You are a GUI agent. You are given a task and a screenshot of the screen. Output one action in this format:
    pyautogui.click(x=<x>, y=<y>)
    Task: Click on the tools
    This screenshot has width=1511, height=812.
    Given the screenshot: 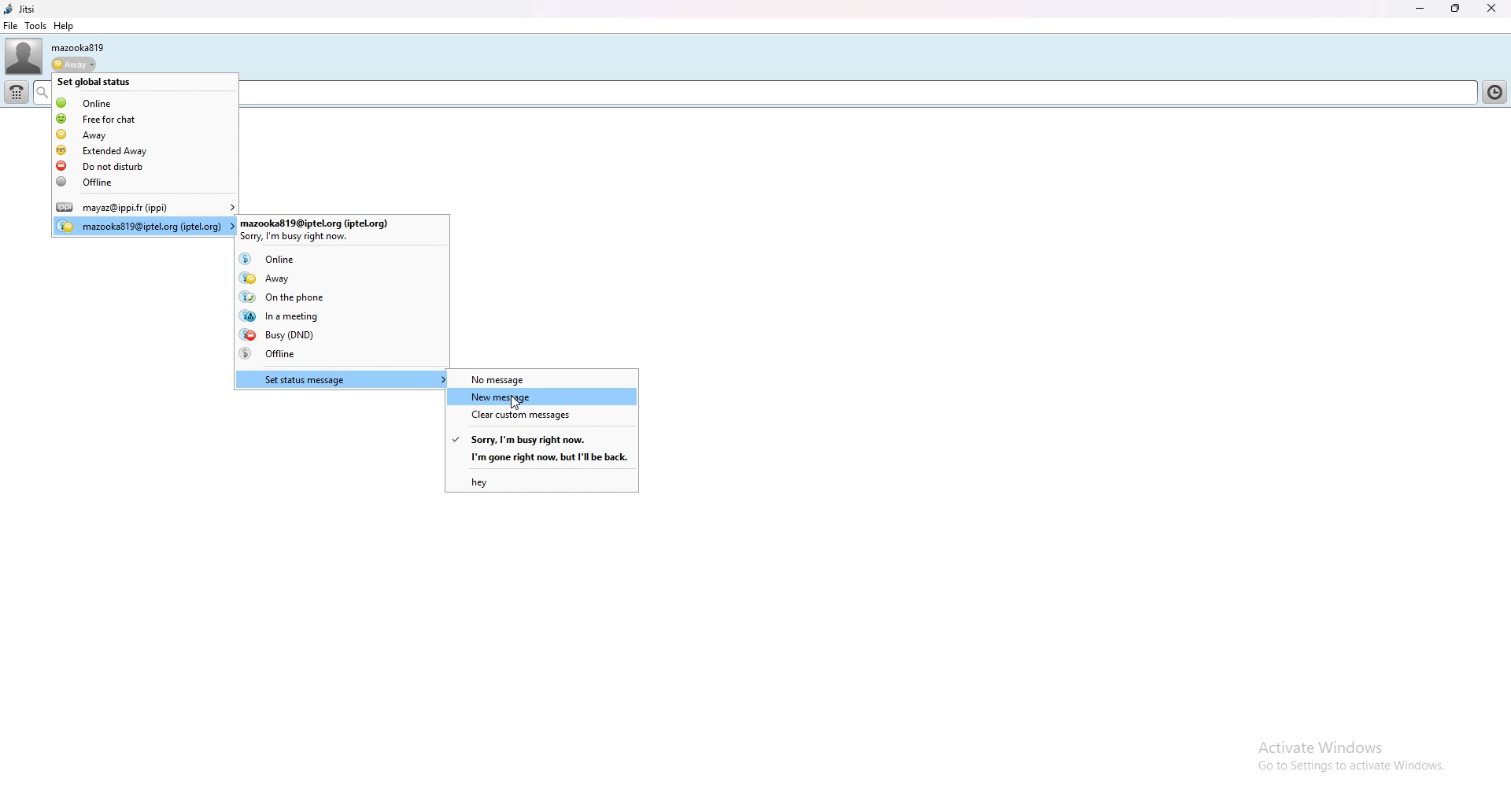 What is the action you would take?
    pyautogui.click(x=36, y=25)
    